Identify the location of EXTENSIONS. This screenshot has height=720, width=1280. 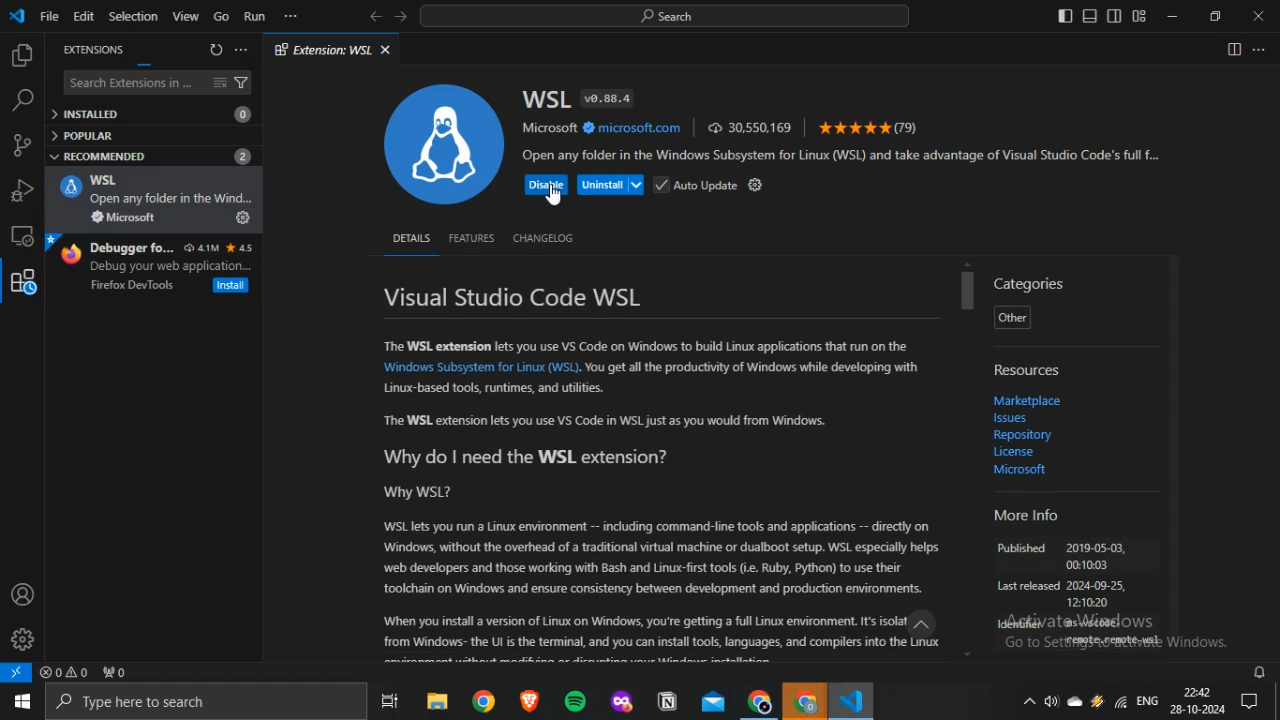
(92, 51).